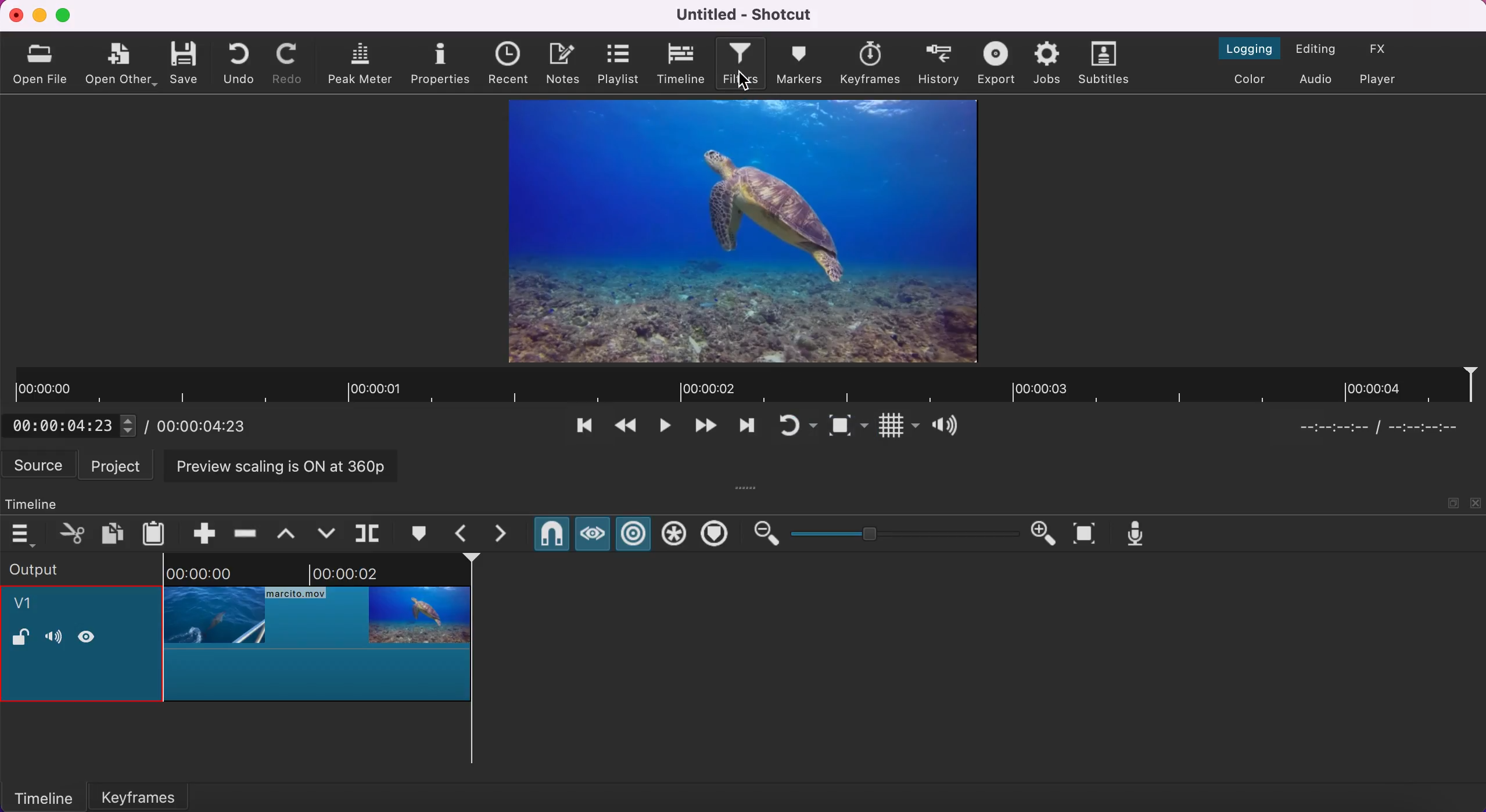 This screenshot has height=812, width=1486. Describe the element at coordinates (157, 531) in the screenshot. I see `paste` at that location.